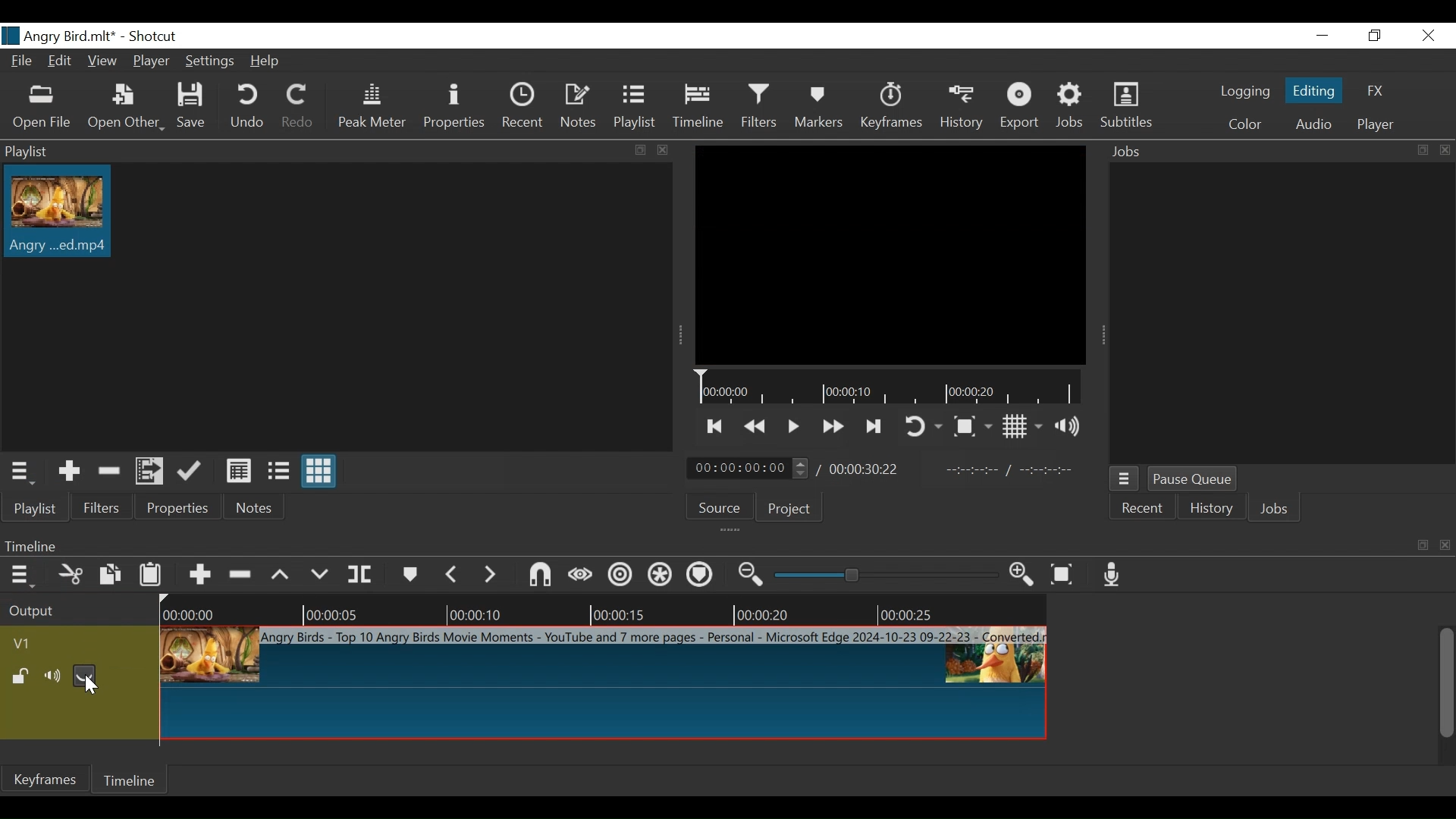 This screenshot has width=1456, height=819. Describe the element at coordinates (300, 106) in the screenshot. I see `Redo` at that location.